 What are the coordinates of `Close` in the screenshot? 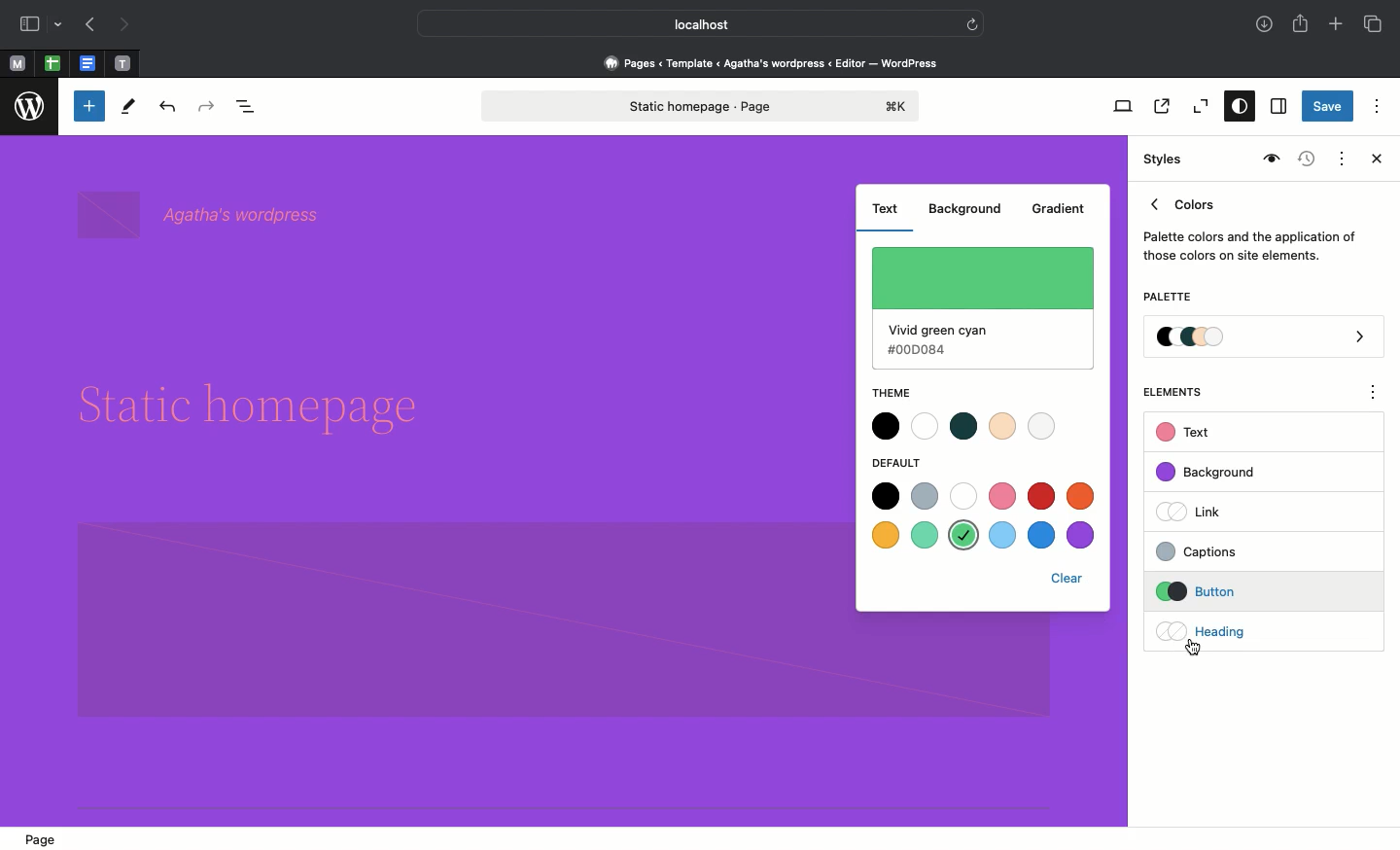 It's located at (1373, 160).